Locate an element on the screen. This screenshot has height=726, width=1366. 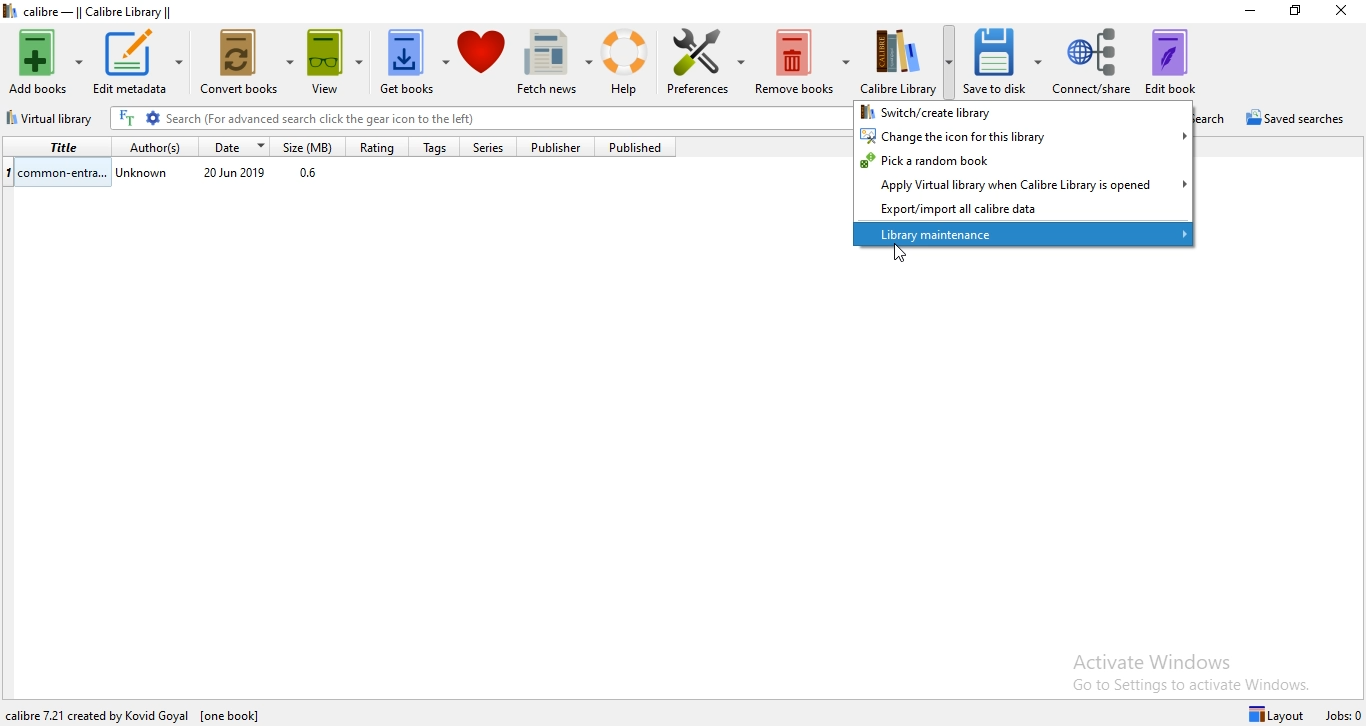
library maintenance is located at coordinates (1025, 235).